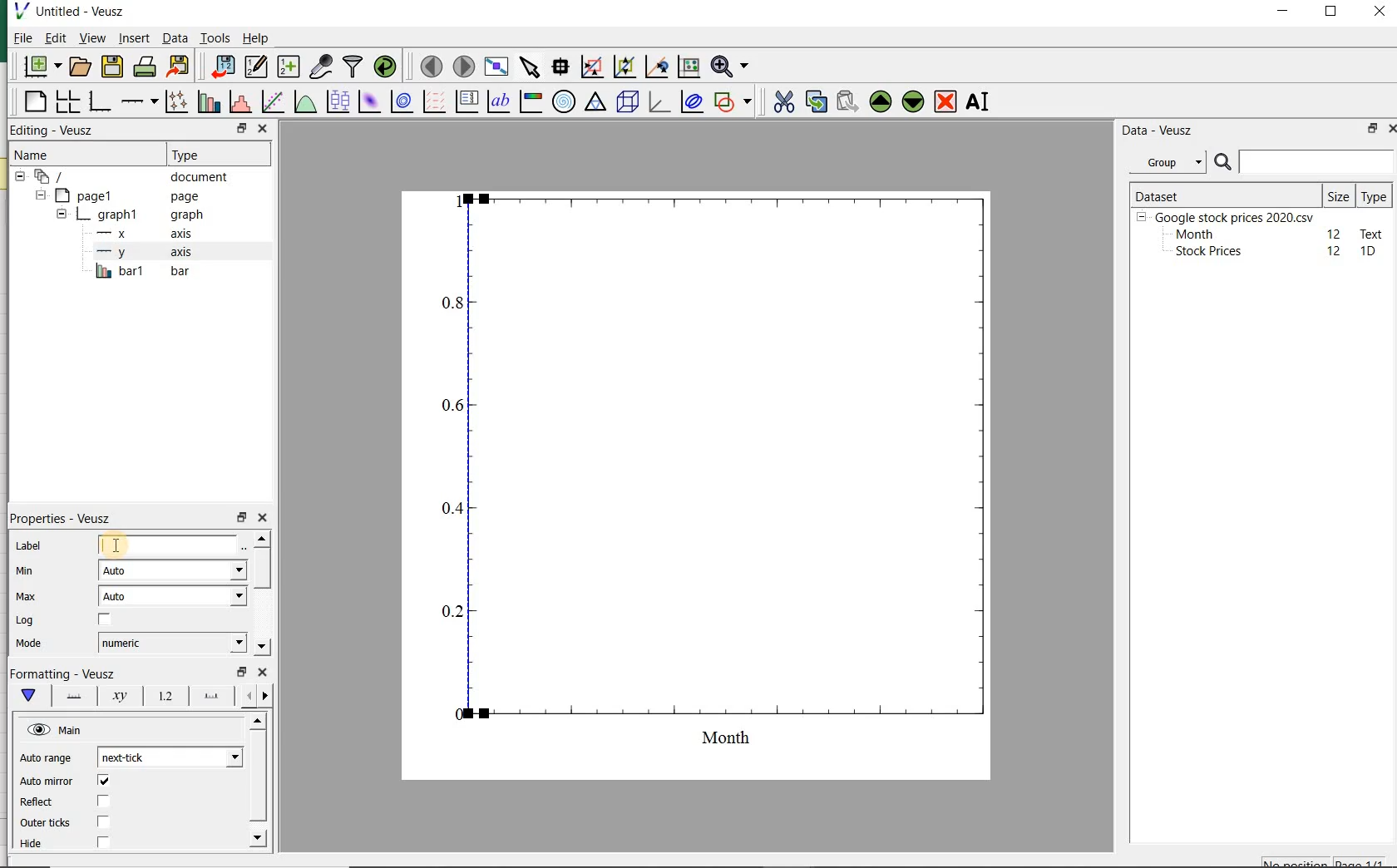 The height and width of the screenshot is (868, 1397). What do you see at coordinates (255, 67) in the screenshot?
I see `edit and enter new datasets` at bounding box center [255, 67].